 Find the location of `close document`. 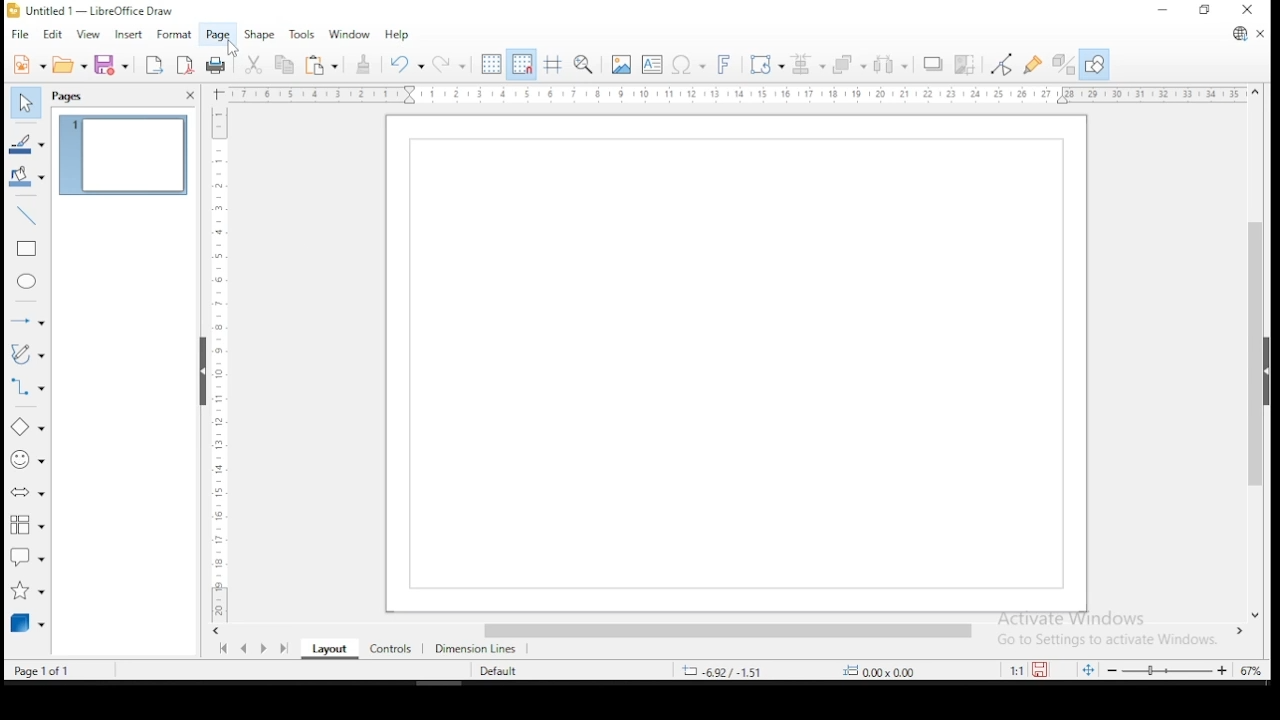

close document is located at coordinates (1260, 34).